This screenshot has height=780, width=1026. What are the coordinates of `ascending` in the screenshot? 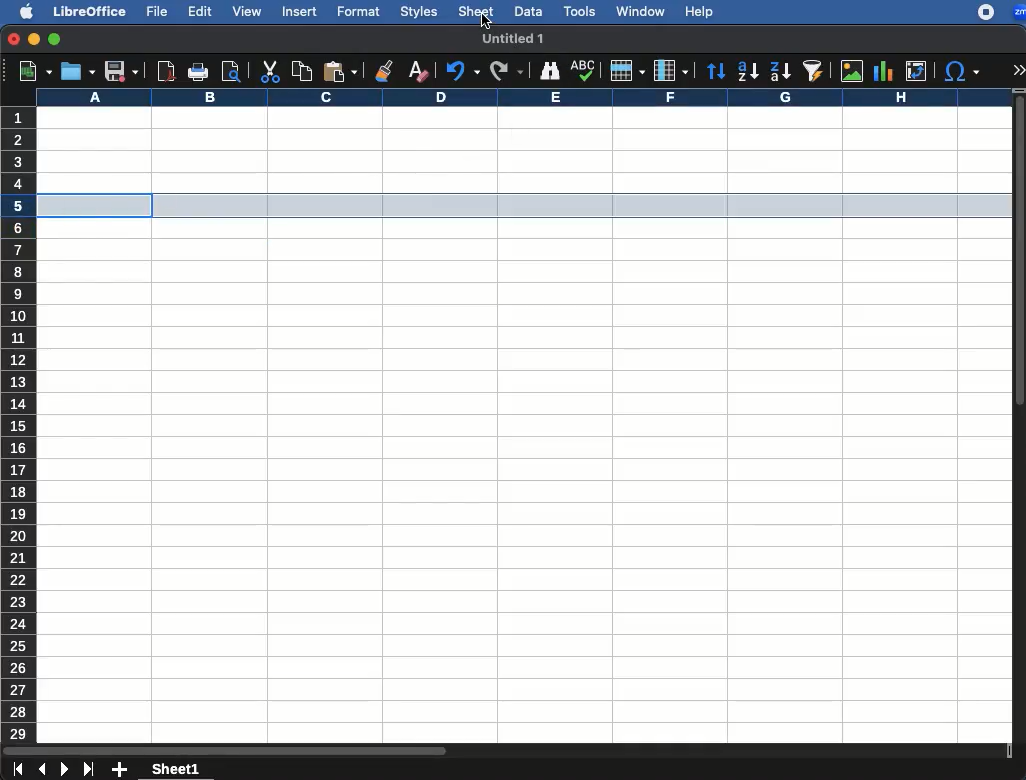 It's located at (748, 69).